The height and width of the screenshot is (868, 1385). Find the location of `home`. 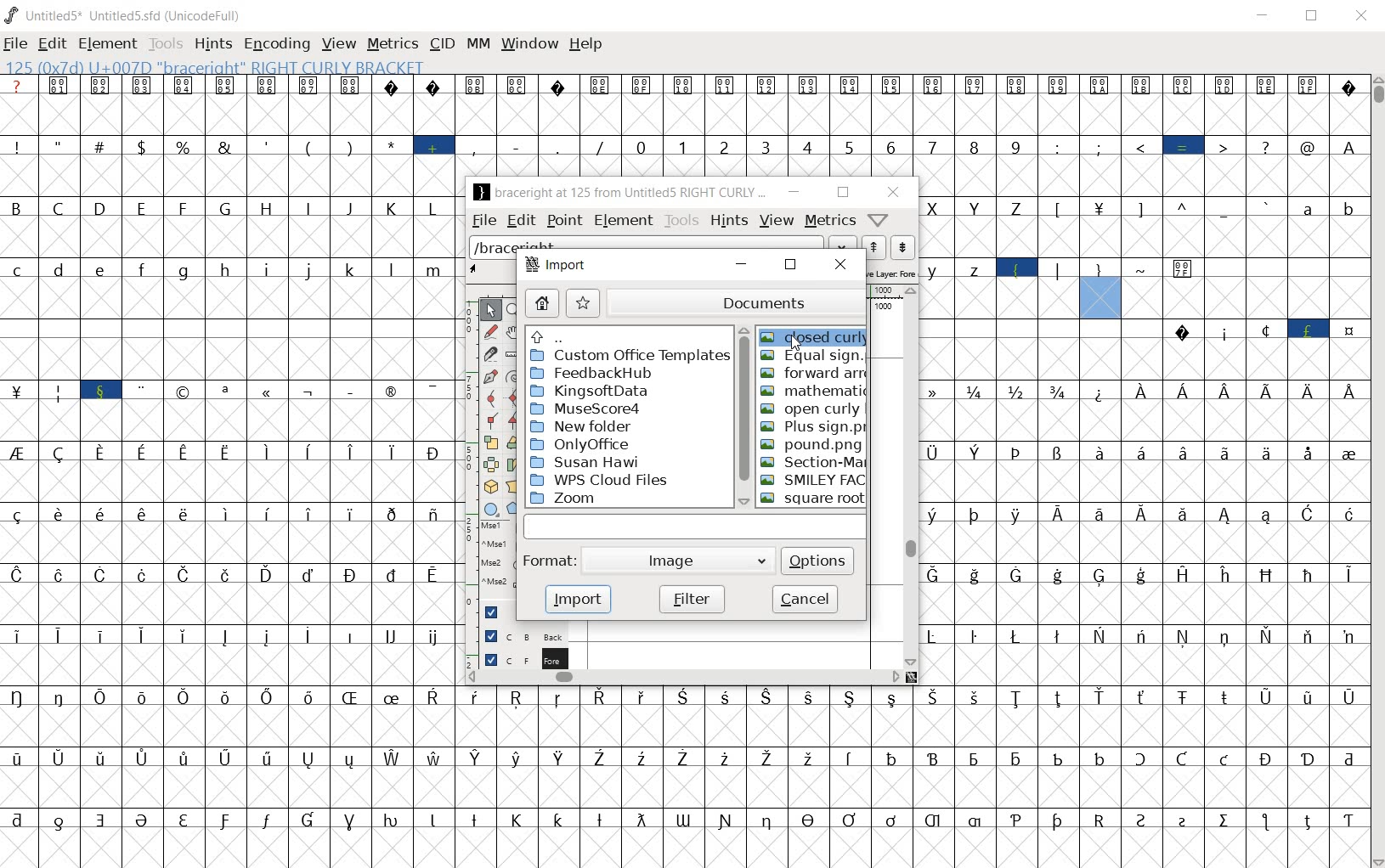

home is located at coordinates (541, 304).